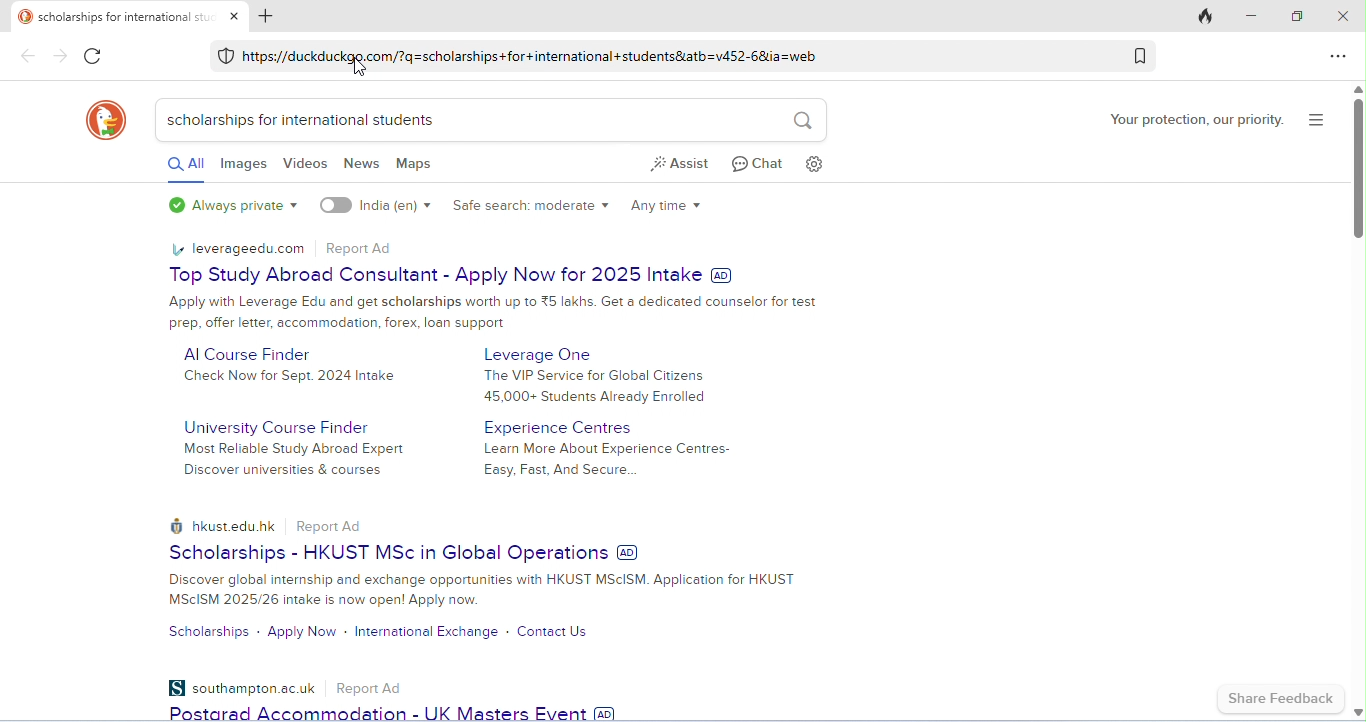 This screenshot has height=722, width=1366. Describe the element at coordinates (299, 162) in the screenshot. I see `videos` at that location.